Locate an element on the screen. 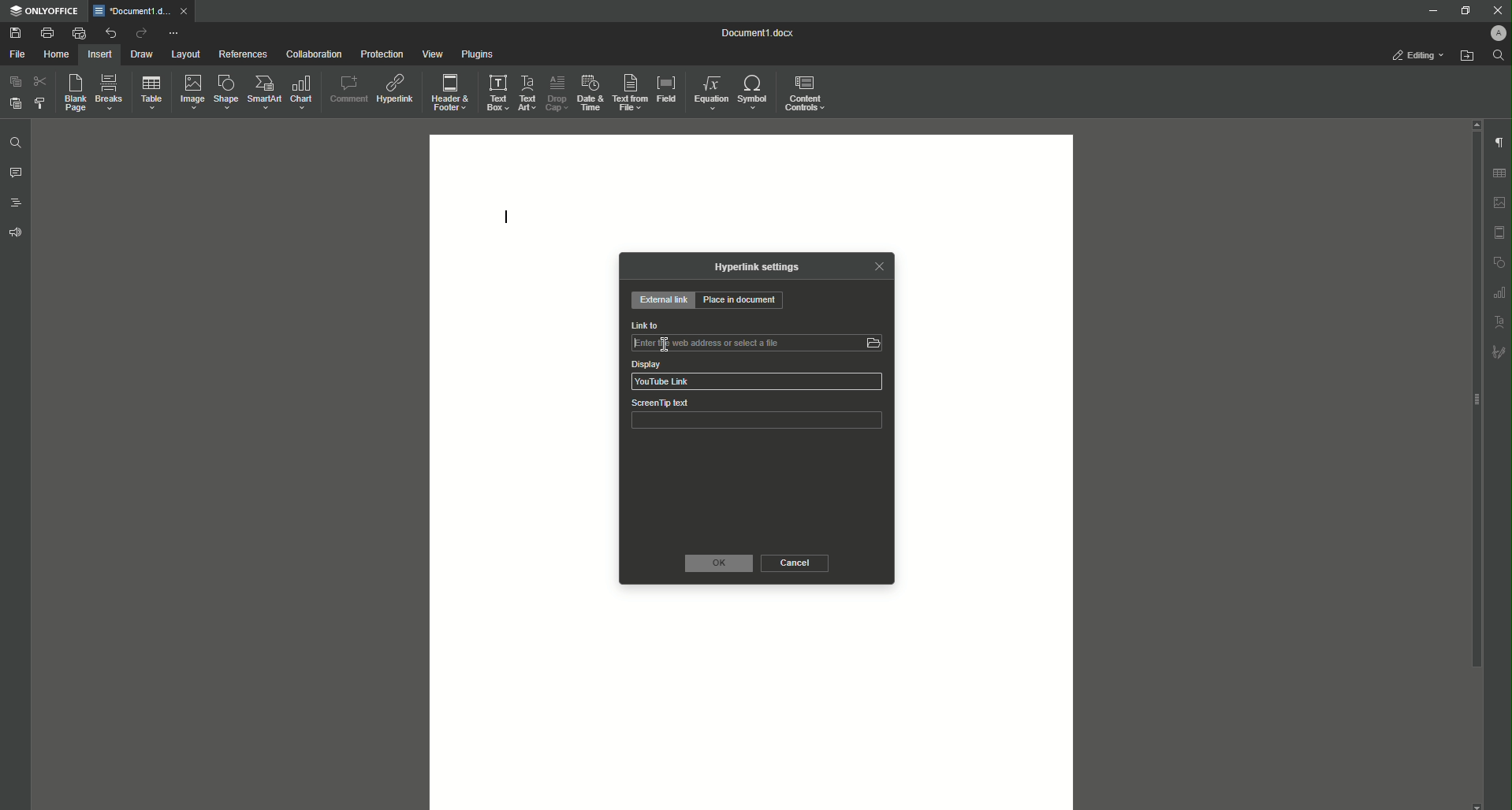 This screenshot has width=1512, height=810. Undo is located at coordinates (110, 32).